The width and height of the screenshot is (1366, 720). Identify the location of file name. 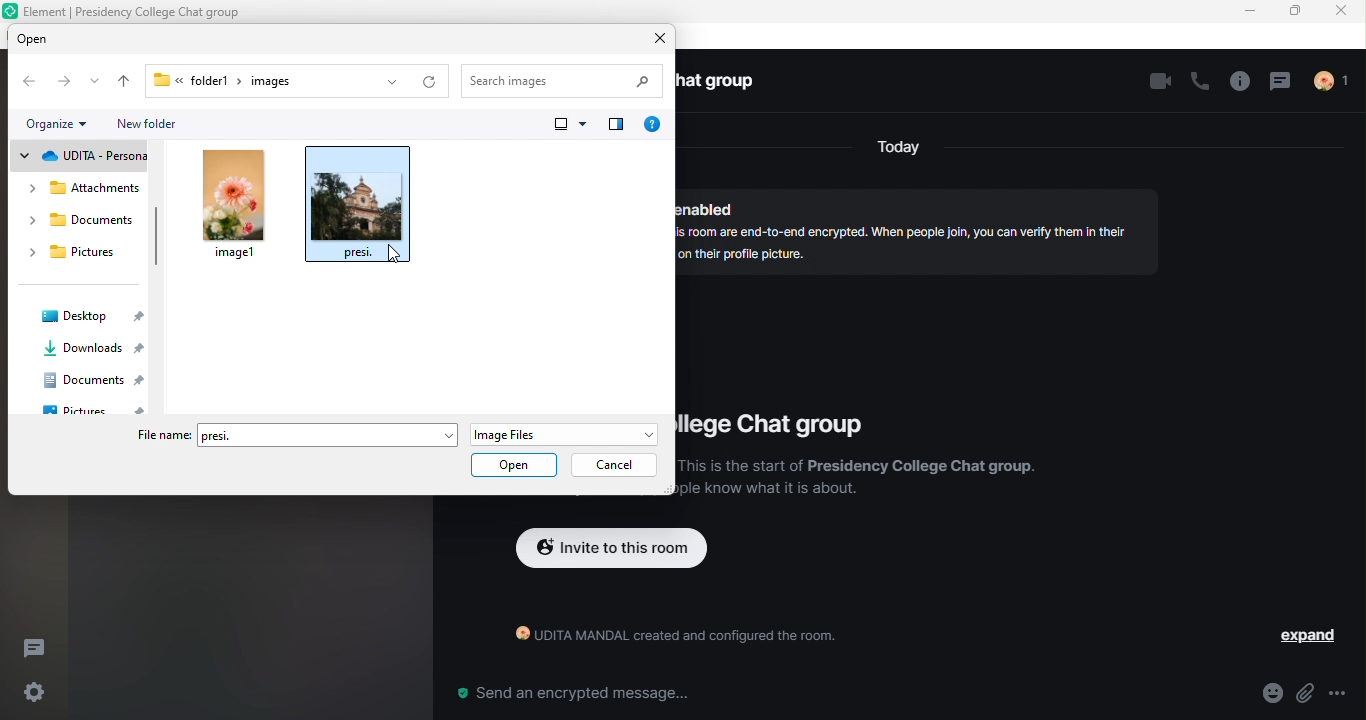
(161, 436).